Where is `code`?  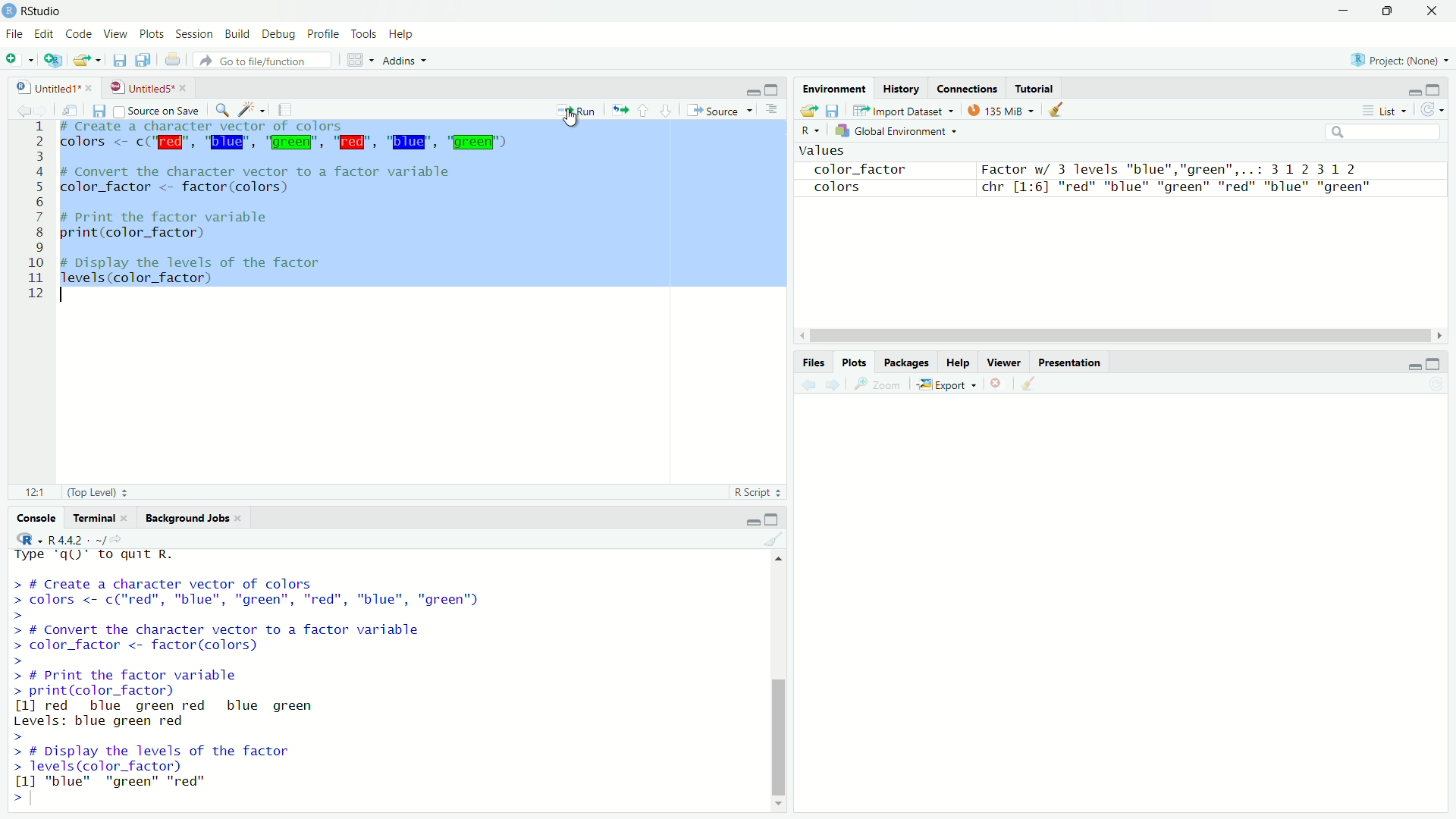 code is located at coordinates (79, 35).